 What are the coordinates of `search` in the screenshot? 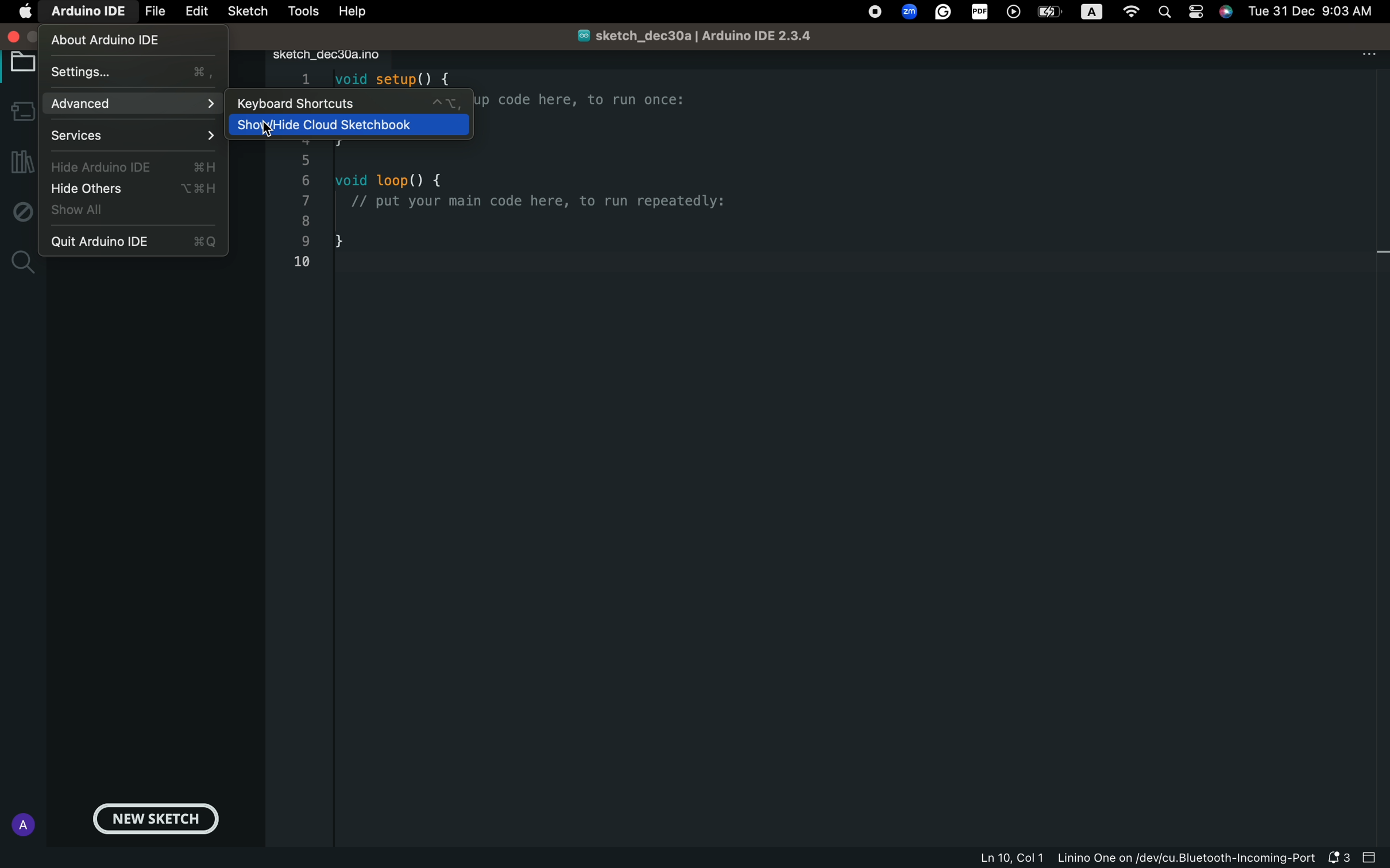 It's located at (20, 261).